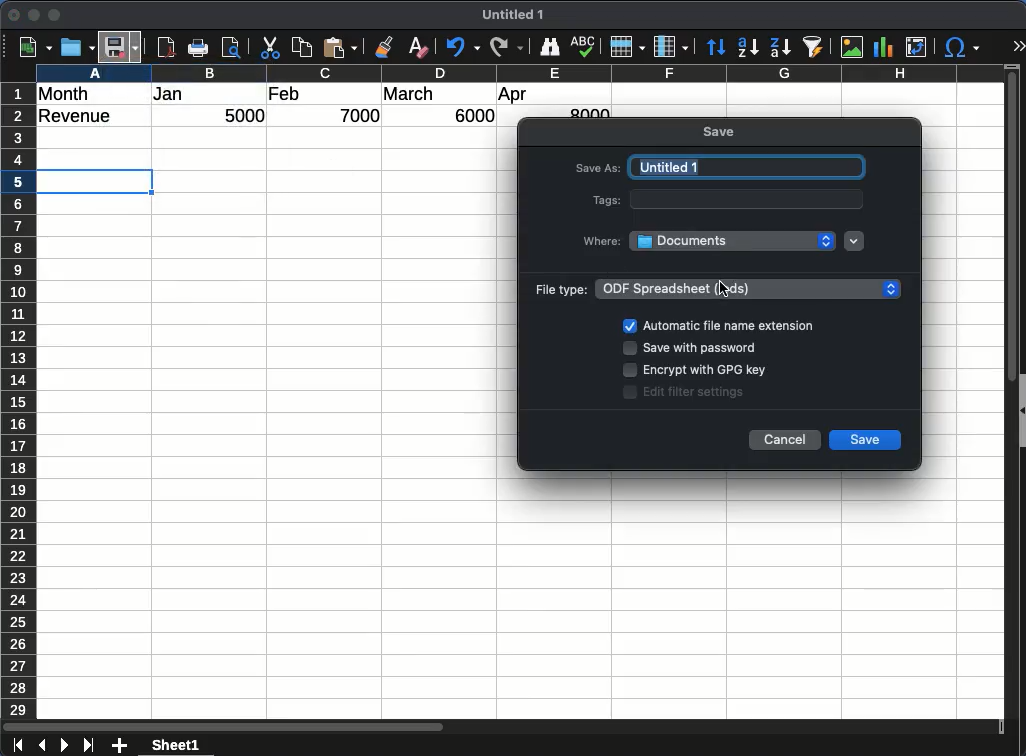  What do you see at coordinates (559, 289) in the screenshot?
I see `file type` at bounding box center [559, 289].